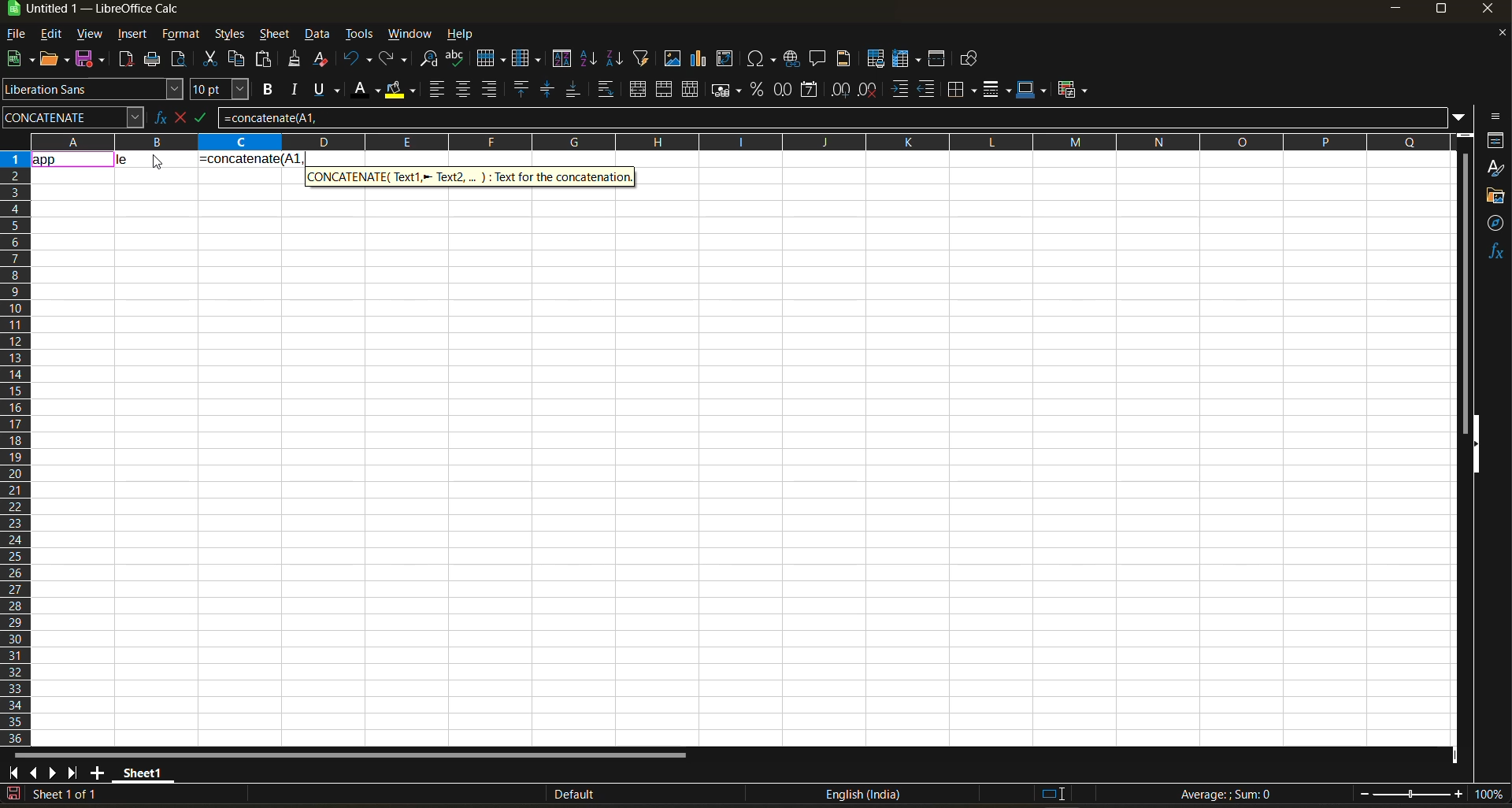 The width and height of the screenshot is (1512, 808). I want to click on conditional, so click(1075, 89).